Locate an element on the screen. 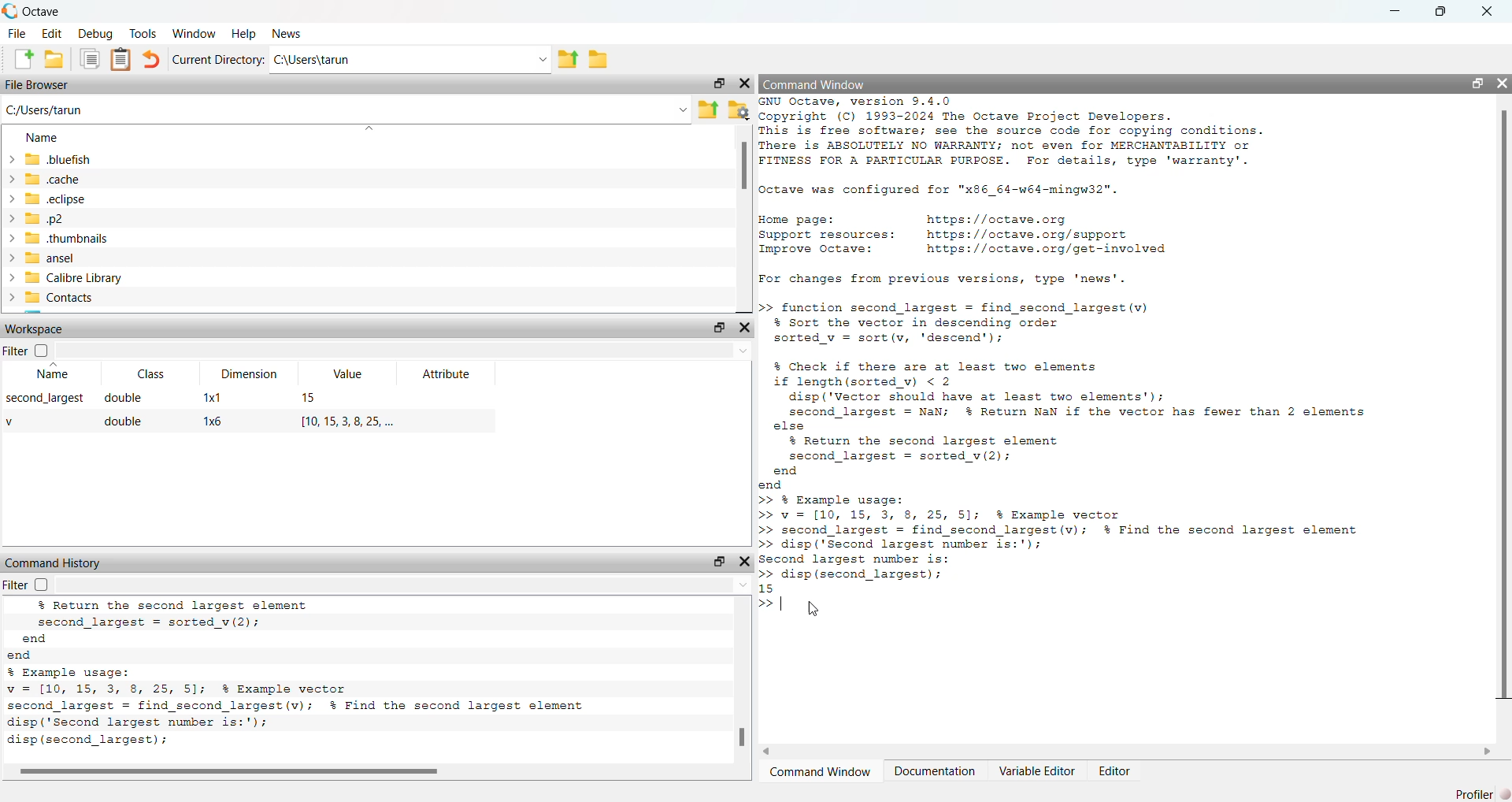 Image resolution: width=1512 pixels, height=802 pixels. class is located at coordinates (146, 374).